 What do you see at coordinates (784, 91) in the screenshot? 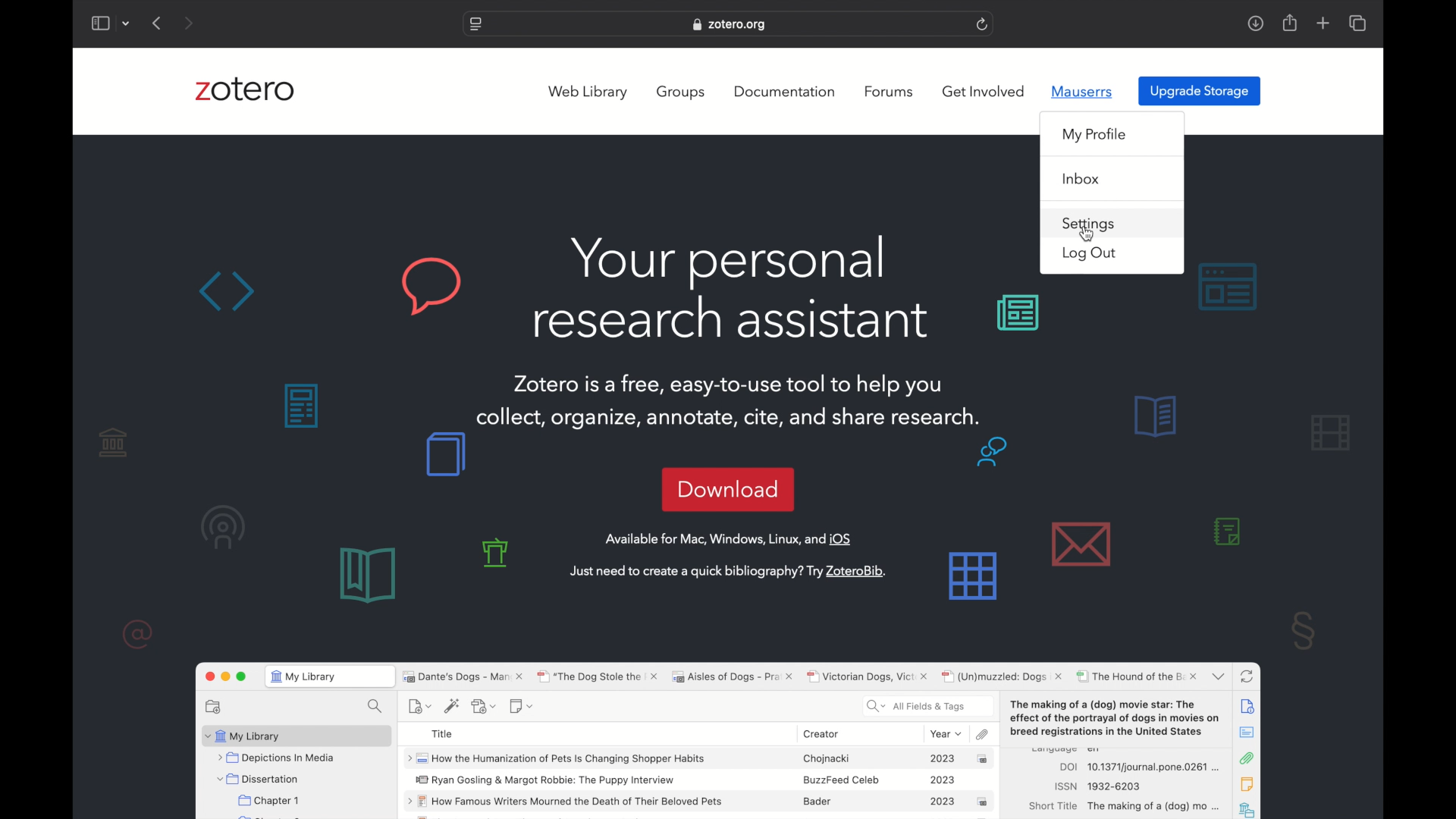
I see `documentation` at bounding box center [784, 91].